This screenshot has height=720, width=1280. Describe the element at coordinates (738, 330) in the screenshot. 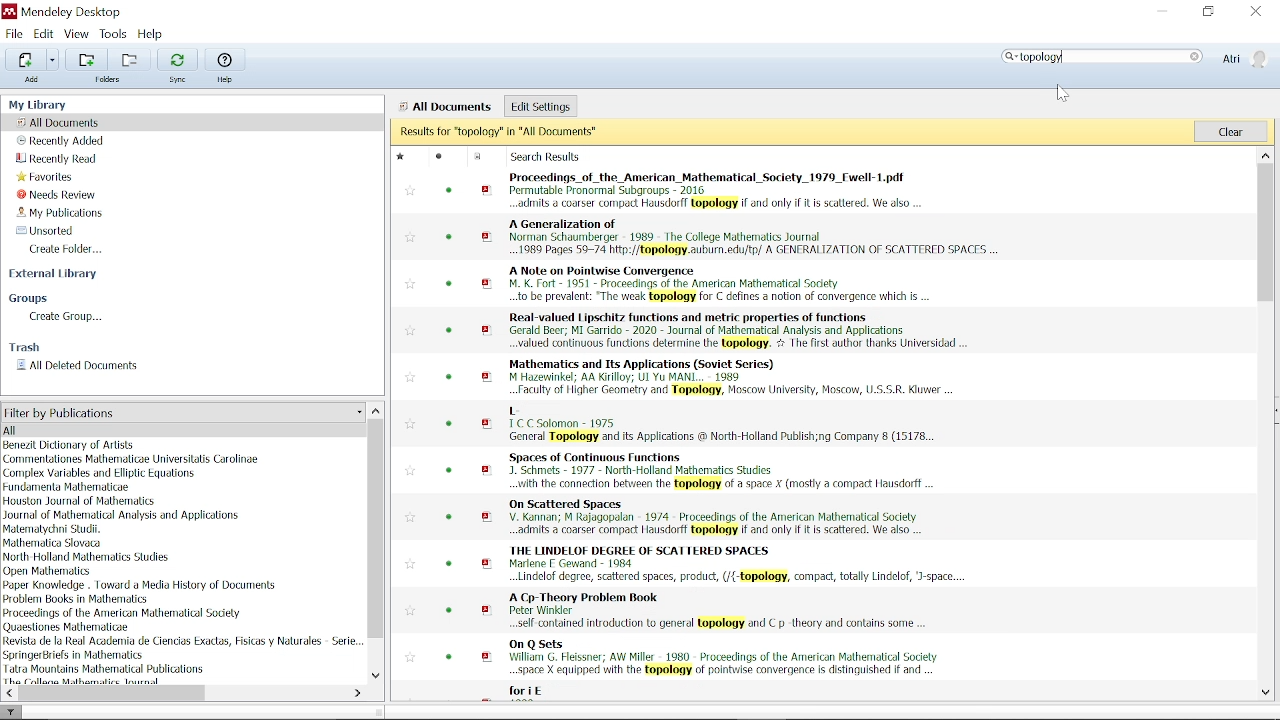

I see `citation` at that location.